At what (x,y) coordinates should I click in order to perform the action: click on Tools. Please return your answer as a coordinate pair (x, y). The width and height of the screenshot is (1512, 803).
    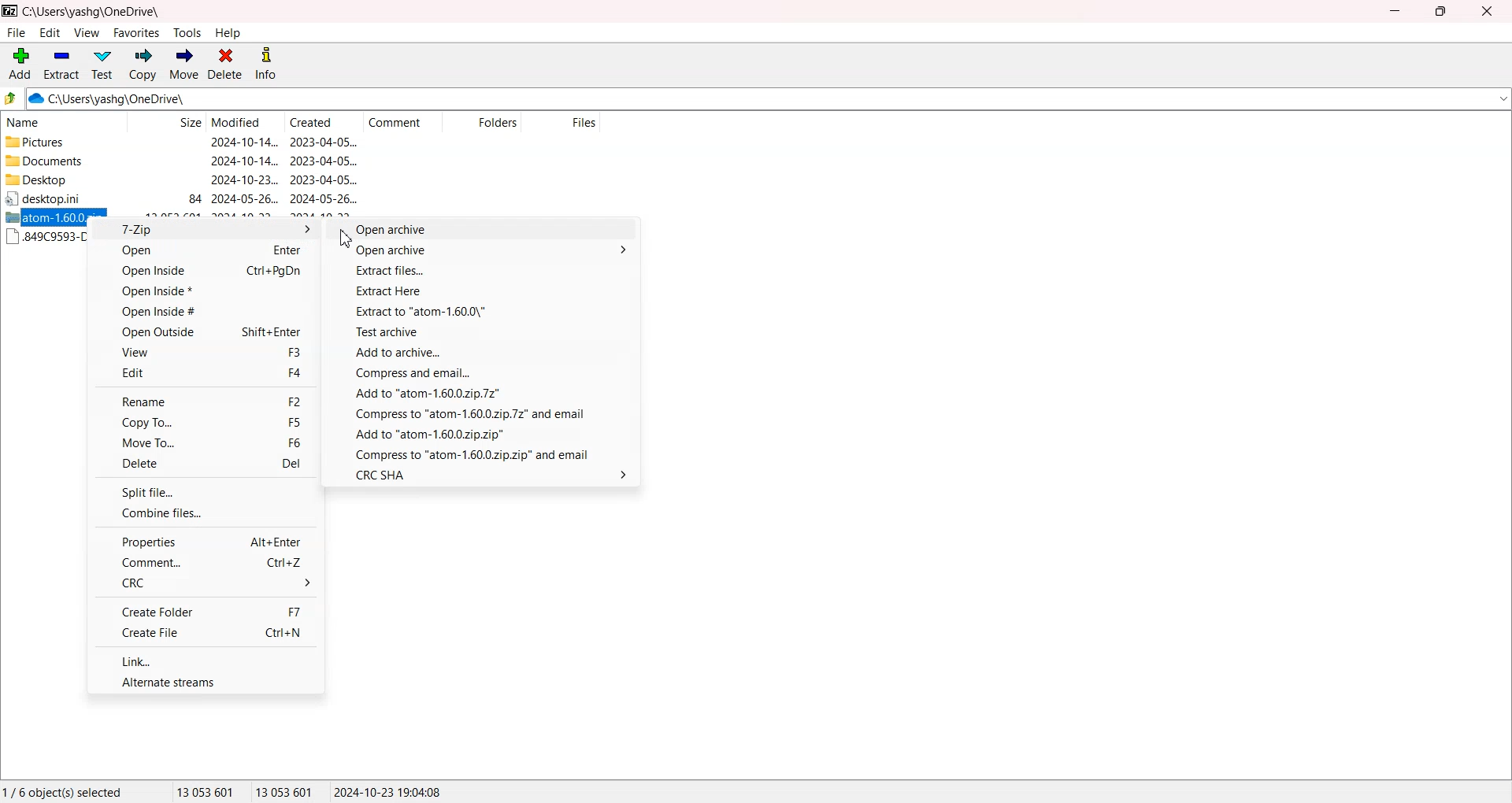
    Looking at the image, I should click on (188, 33).